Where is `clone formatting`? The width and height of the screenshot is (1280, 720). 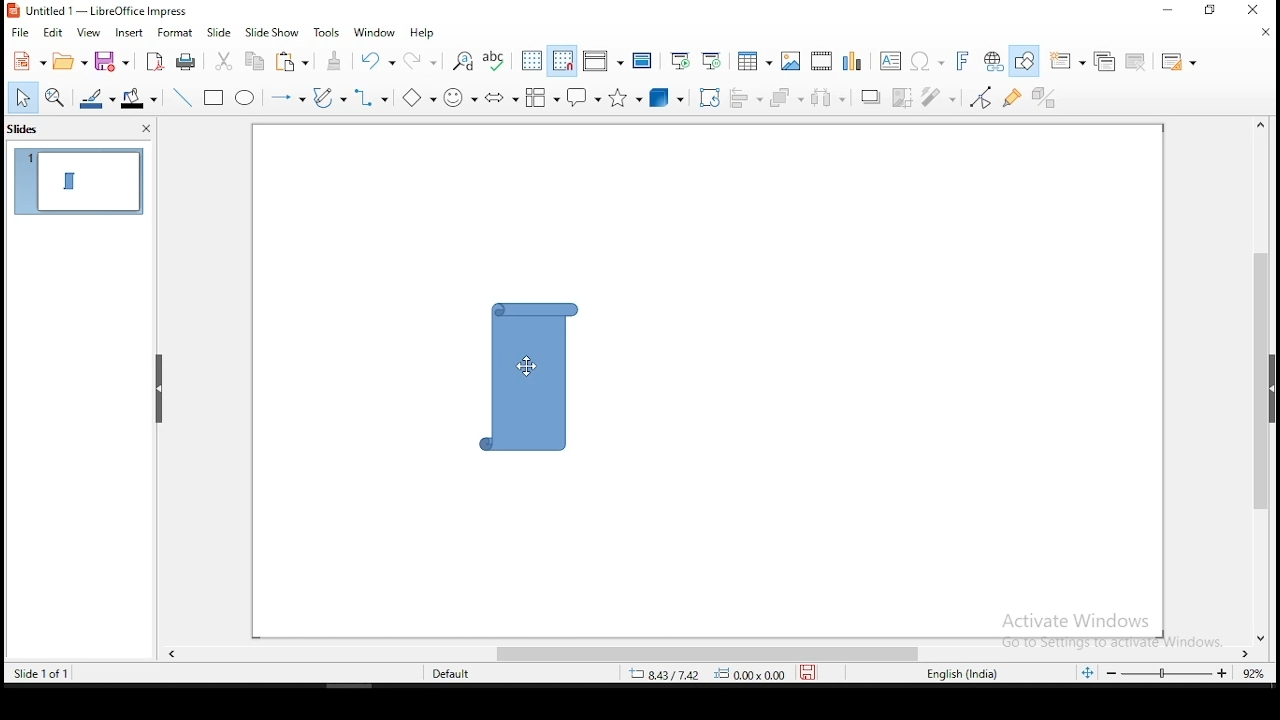
clone formatting is located at coordinates (333, 59).